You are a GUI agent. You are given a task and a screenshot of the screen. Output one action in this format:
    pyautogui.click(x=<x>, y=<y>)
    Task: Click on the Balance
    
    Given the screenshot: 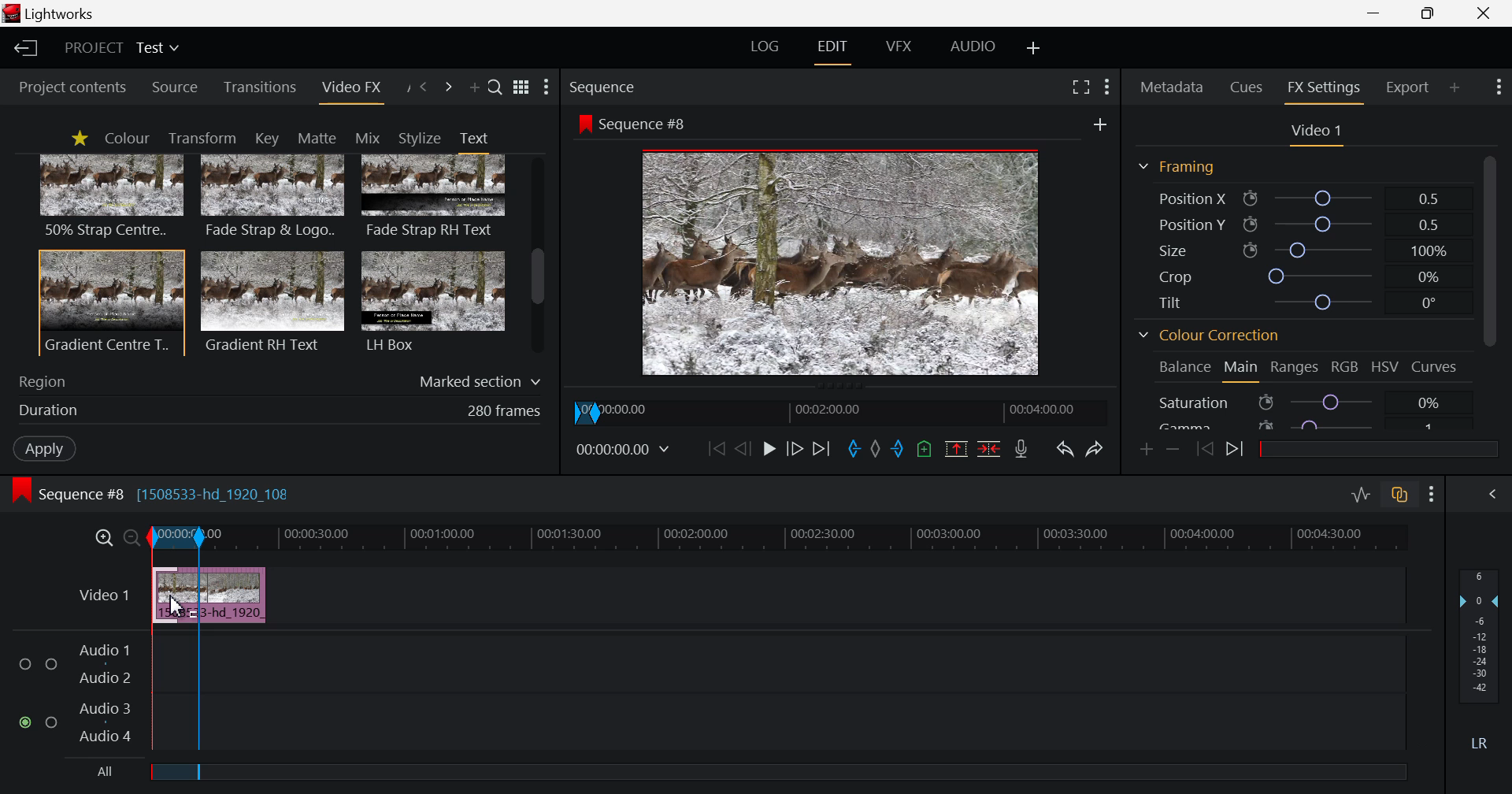 What is the action you would take?
    pyautogui.click(x=1184, y=366)
    